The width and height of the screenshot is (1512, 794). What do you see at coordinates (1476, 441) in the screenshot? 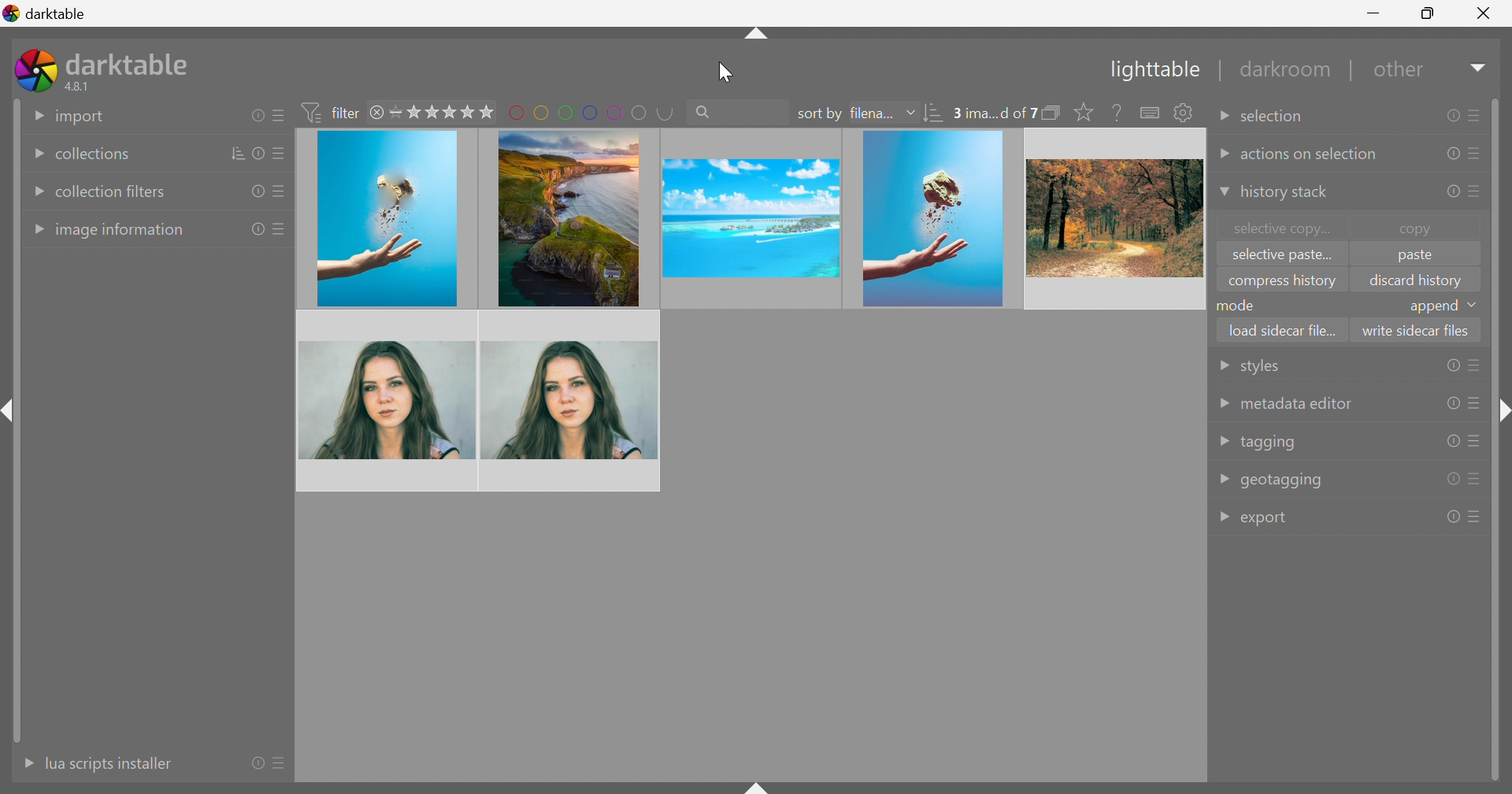
I see `presets` at bounding box center [1476, 441].